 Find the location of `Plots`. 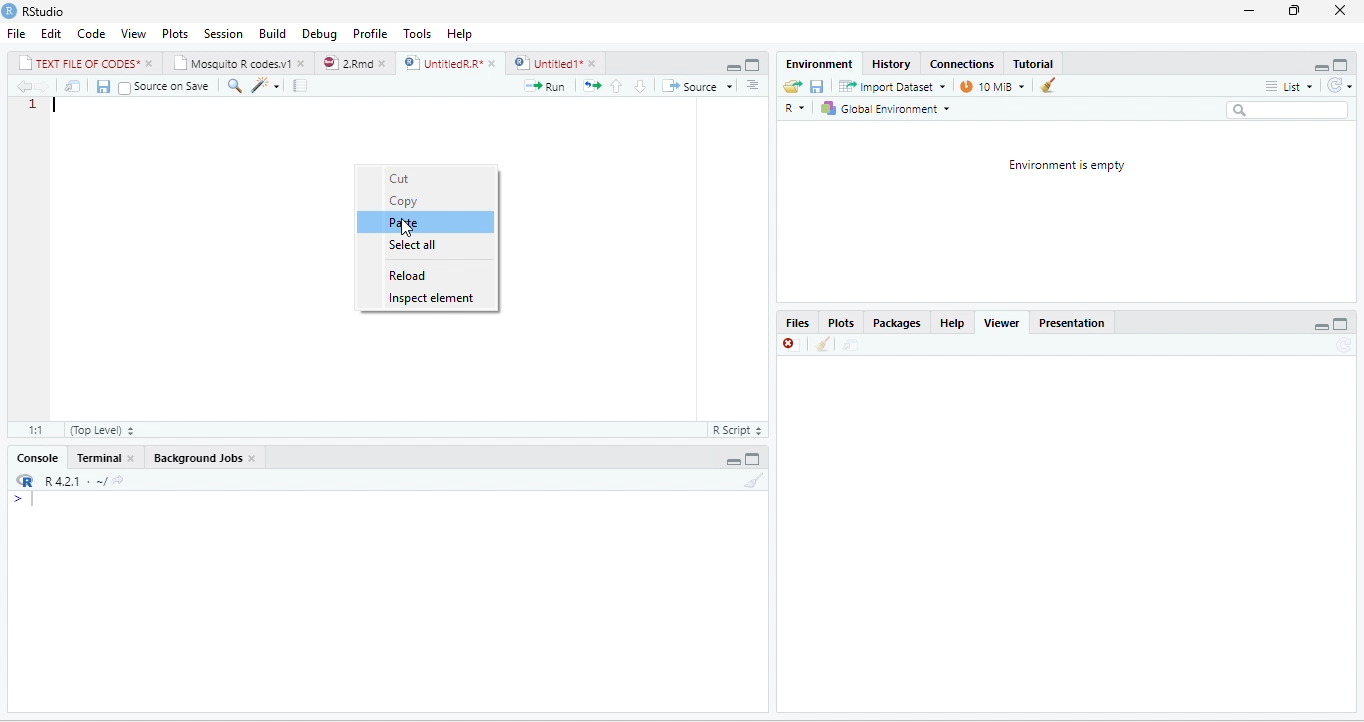

Plots is located at coordinates (175, 32).